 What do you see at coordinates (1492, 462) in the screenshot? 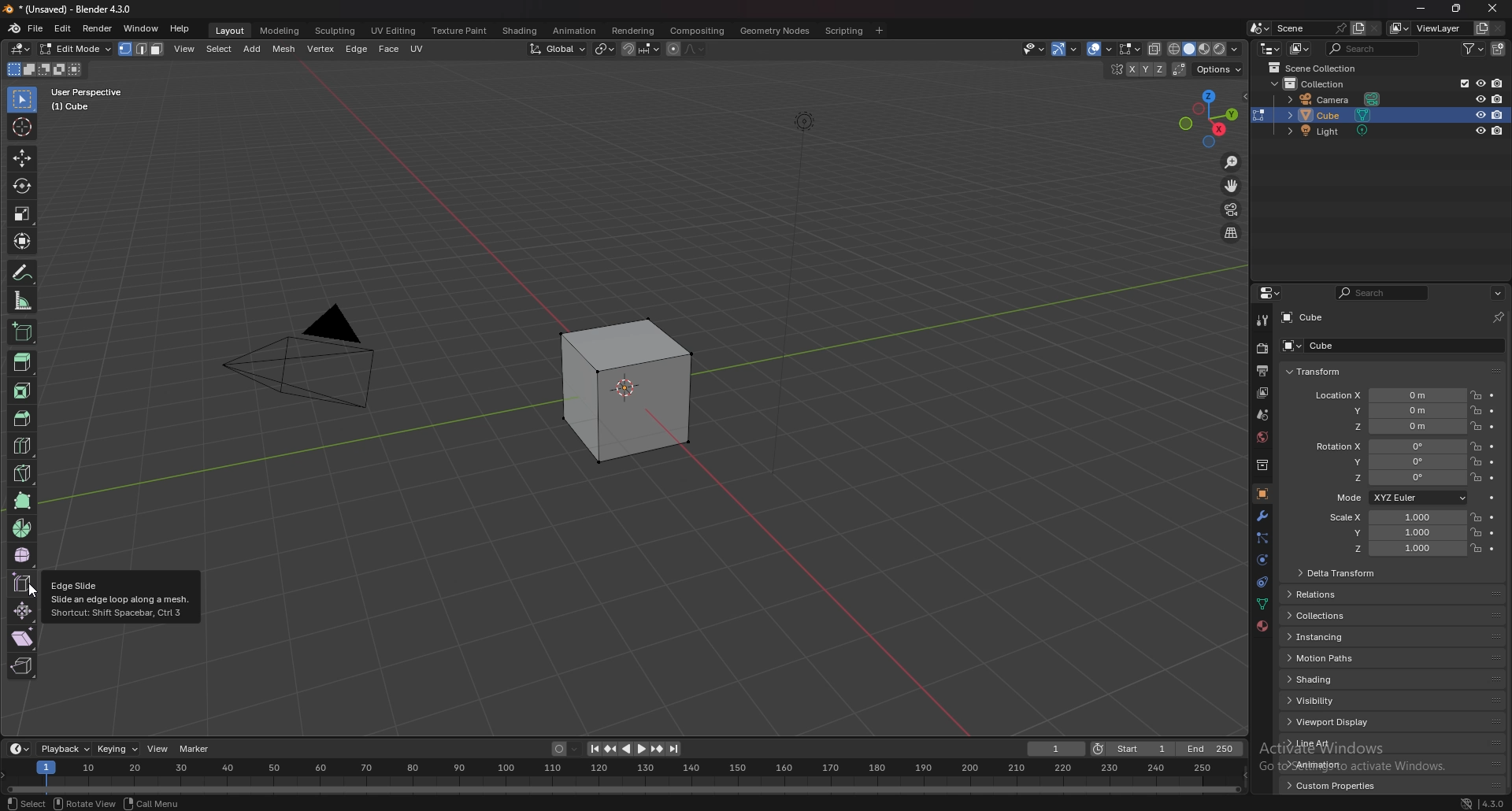
I see `animate property` at bounding box center [1492, 462].